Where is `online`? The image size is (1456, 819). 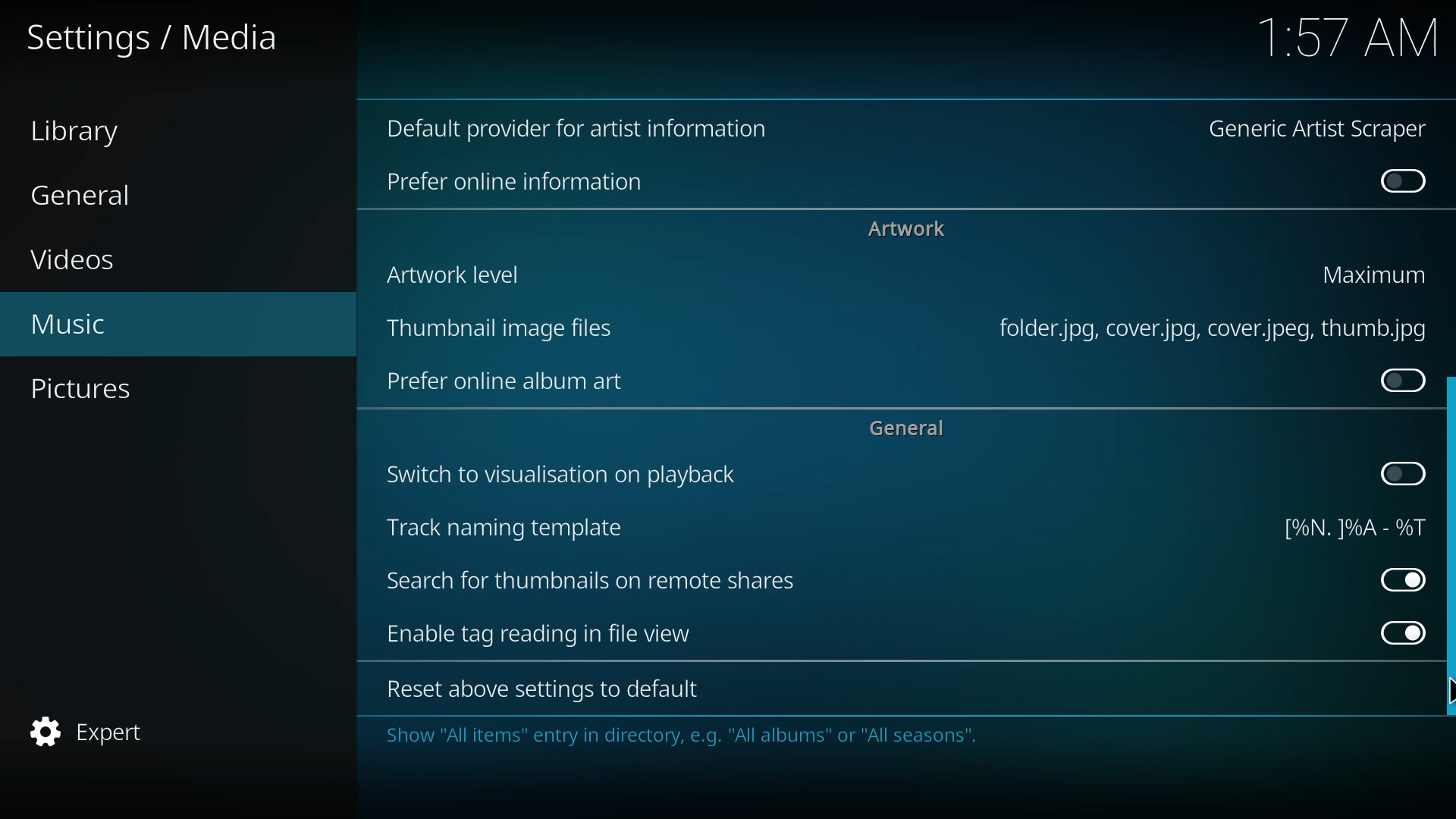
online is located at coordinates (516, 182).